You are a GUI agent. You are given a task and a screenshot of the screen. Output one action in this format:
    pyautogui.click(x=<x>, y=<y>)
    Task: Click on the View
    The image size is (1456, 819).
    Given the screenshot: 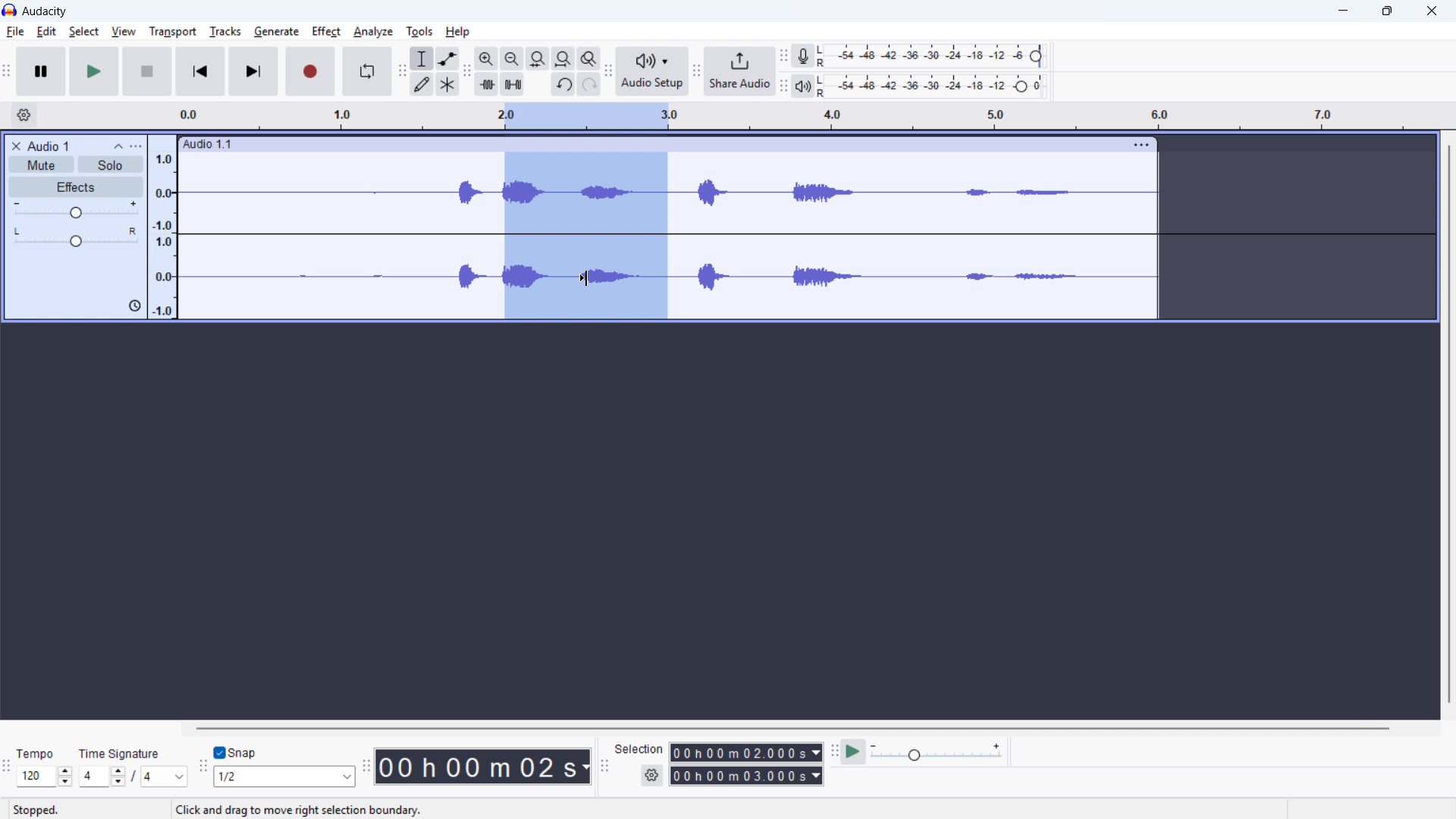 What is the action you would take?
    pyautogui.click(x=123, y=32)
    